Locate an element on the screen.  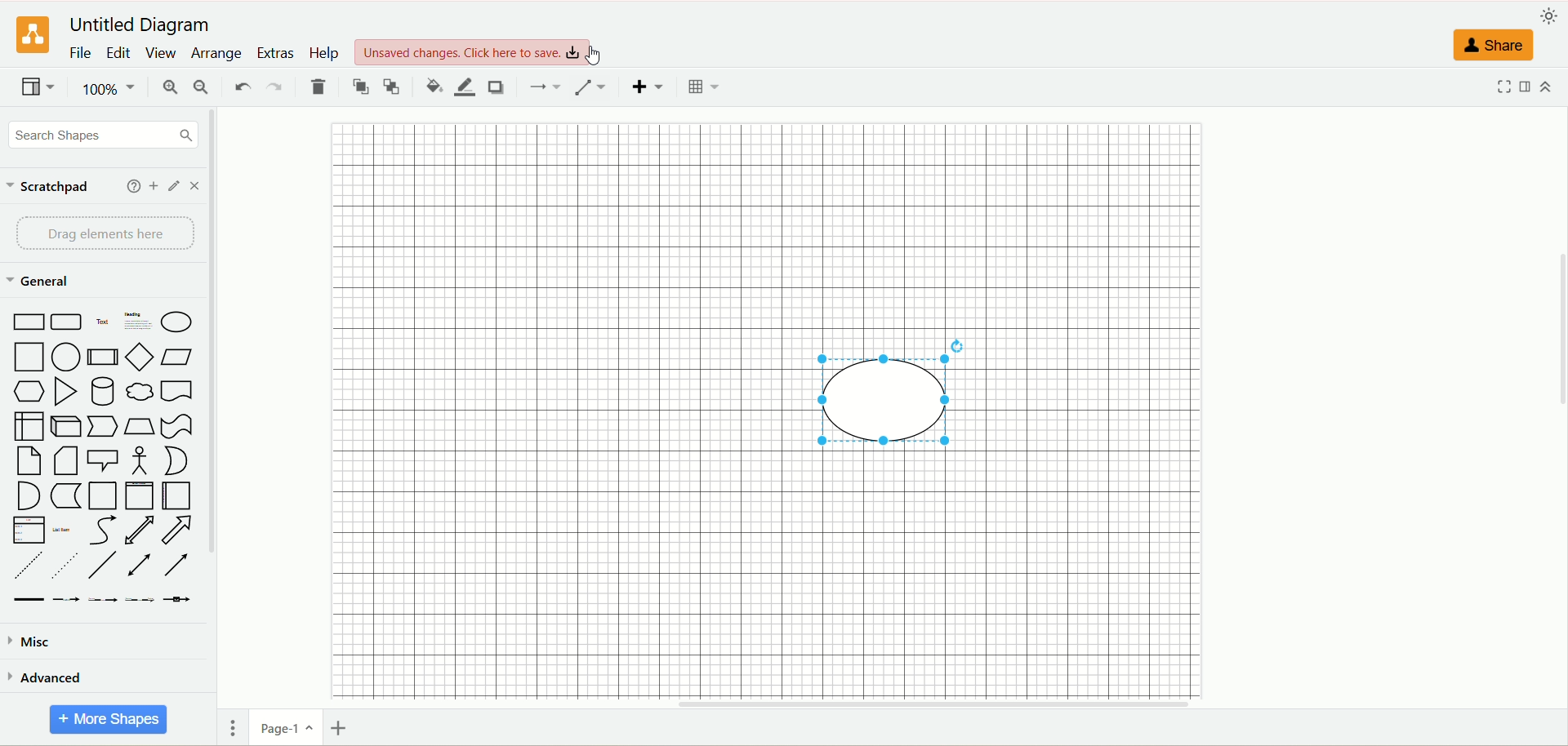
directional connector is located at coordinates (176, 566).